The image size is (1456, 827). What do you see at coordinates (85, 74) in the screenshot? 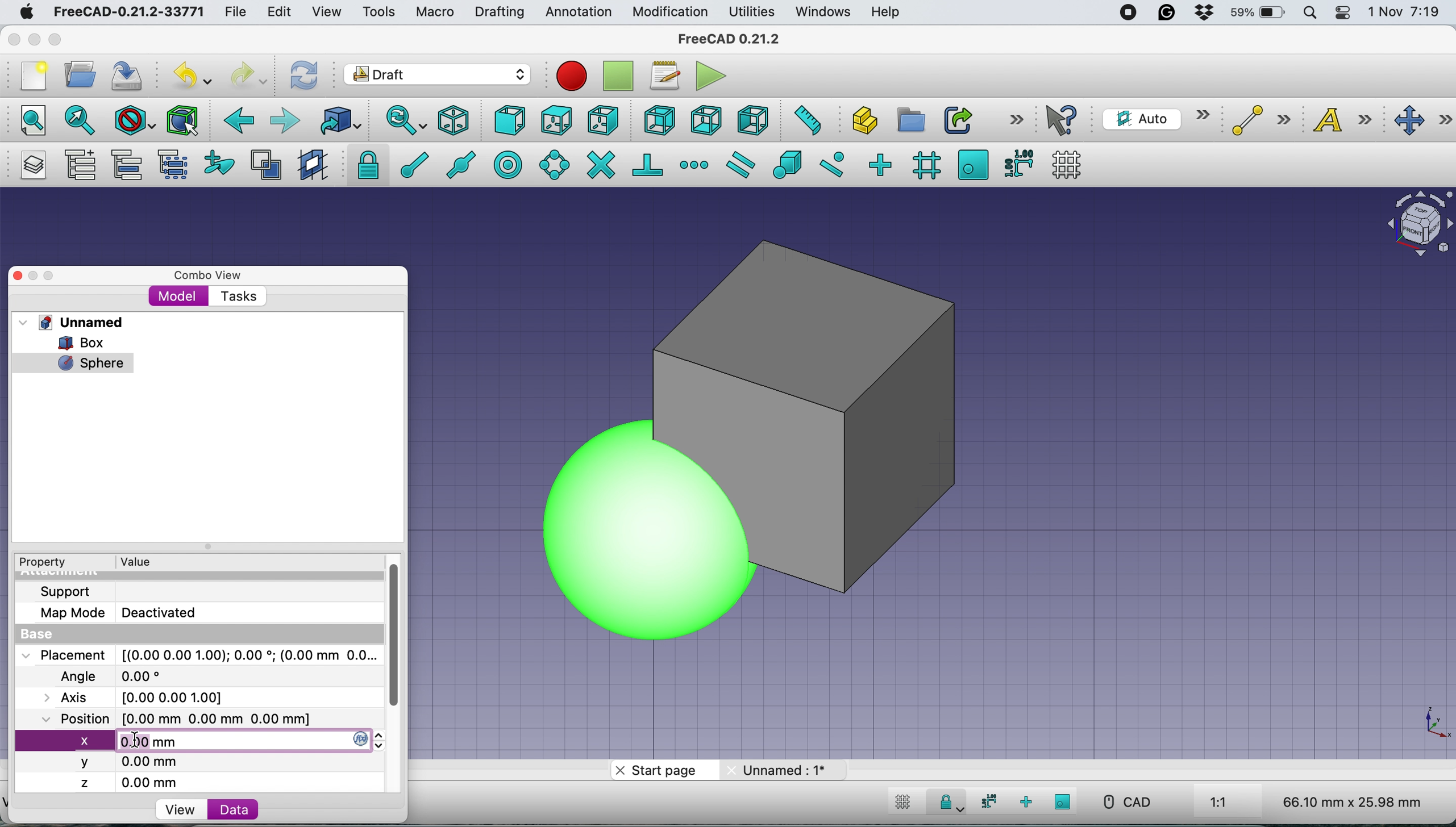
I see `open` at bounding box center [85, 74].